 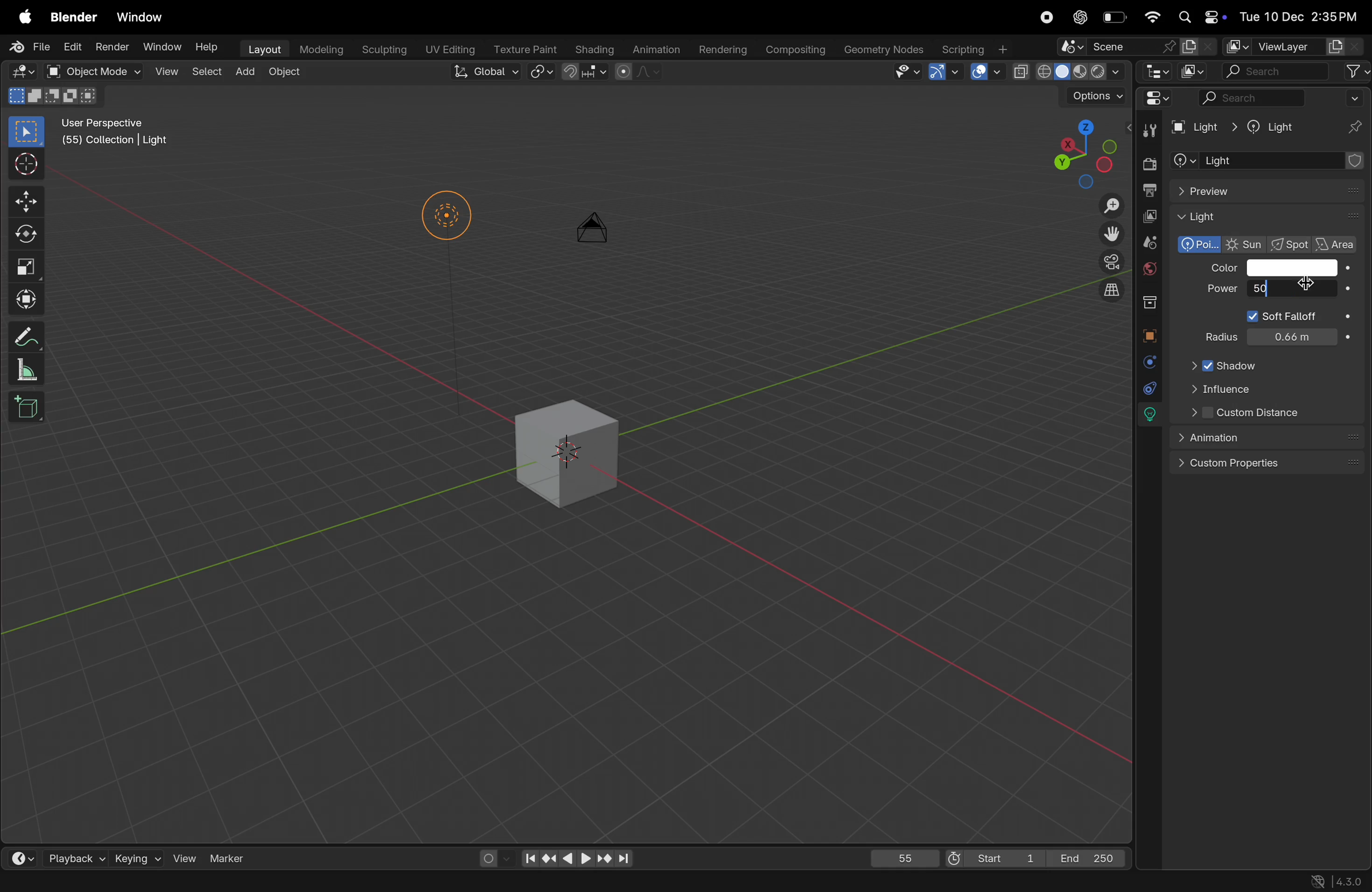 I want to click on Shadow, so click(x=1243, y=364).